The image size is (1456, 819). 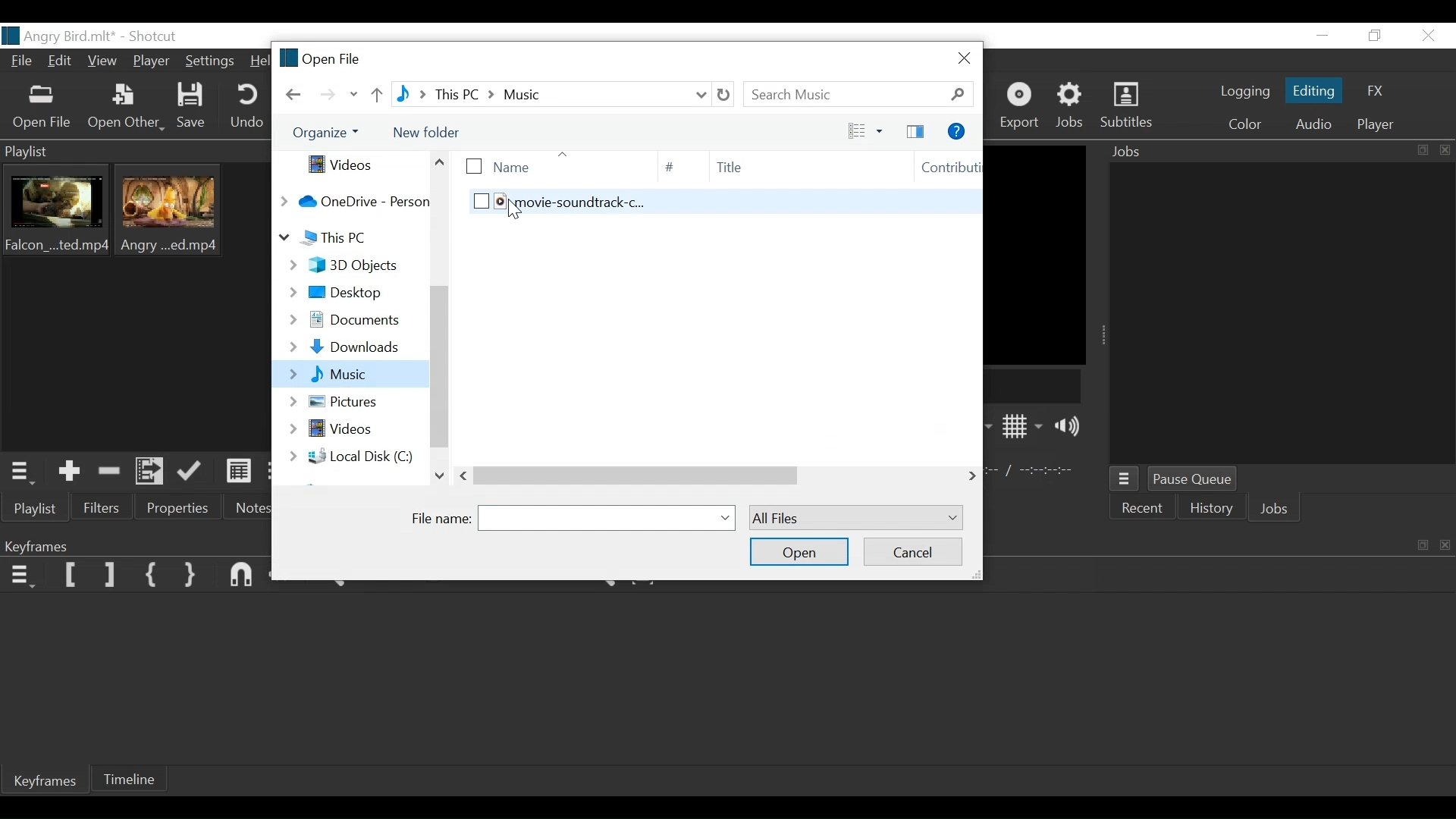 I want to click on Close, so click(x=1445, y=543).